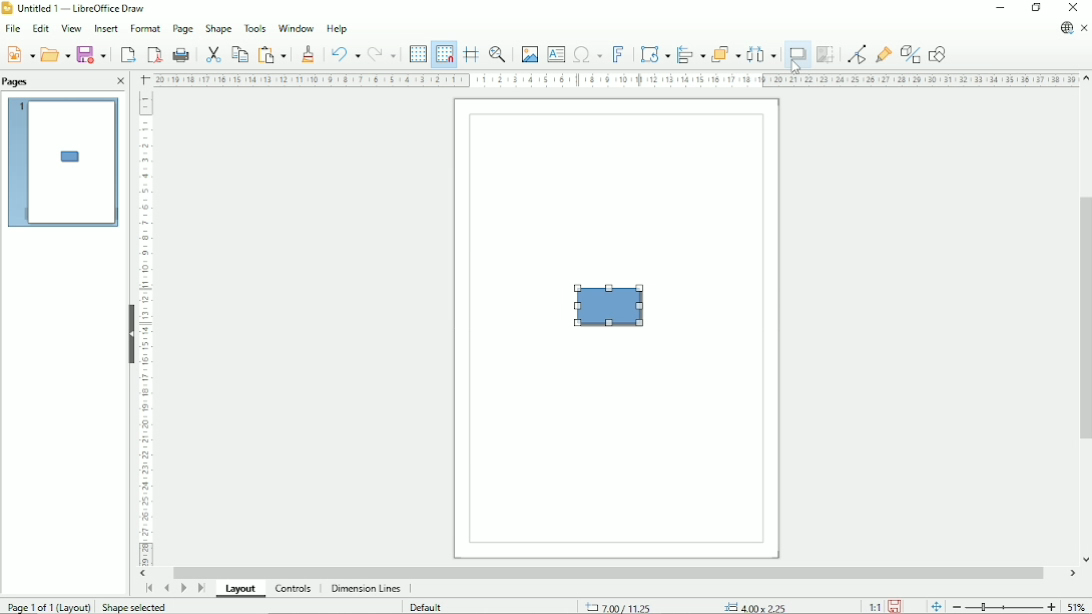 The width and height of the screenshot is (1092, 614). Describe the element at coordinates (1004, 604) in the screenshot. I see `Zoom out/in` at that location.